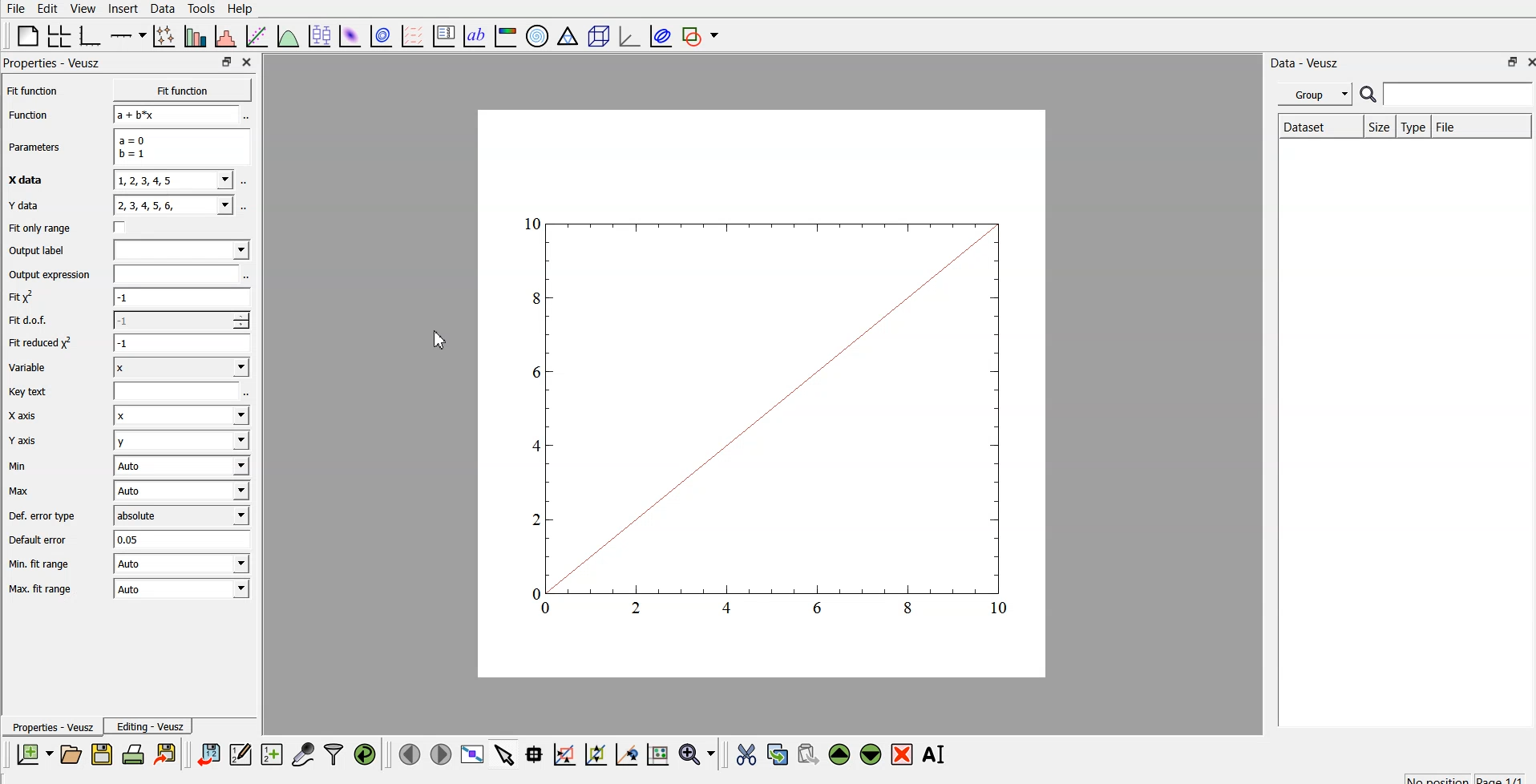 The image size is (1536, 784). What do you see at coordinates (45, 8) in the screenshot?
I see `edit` at bounding box center [45, 8].